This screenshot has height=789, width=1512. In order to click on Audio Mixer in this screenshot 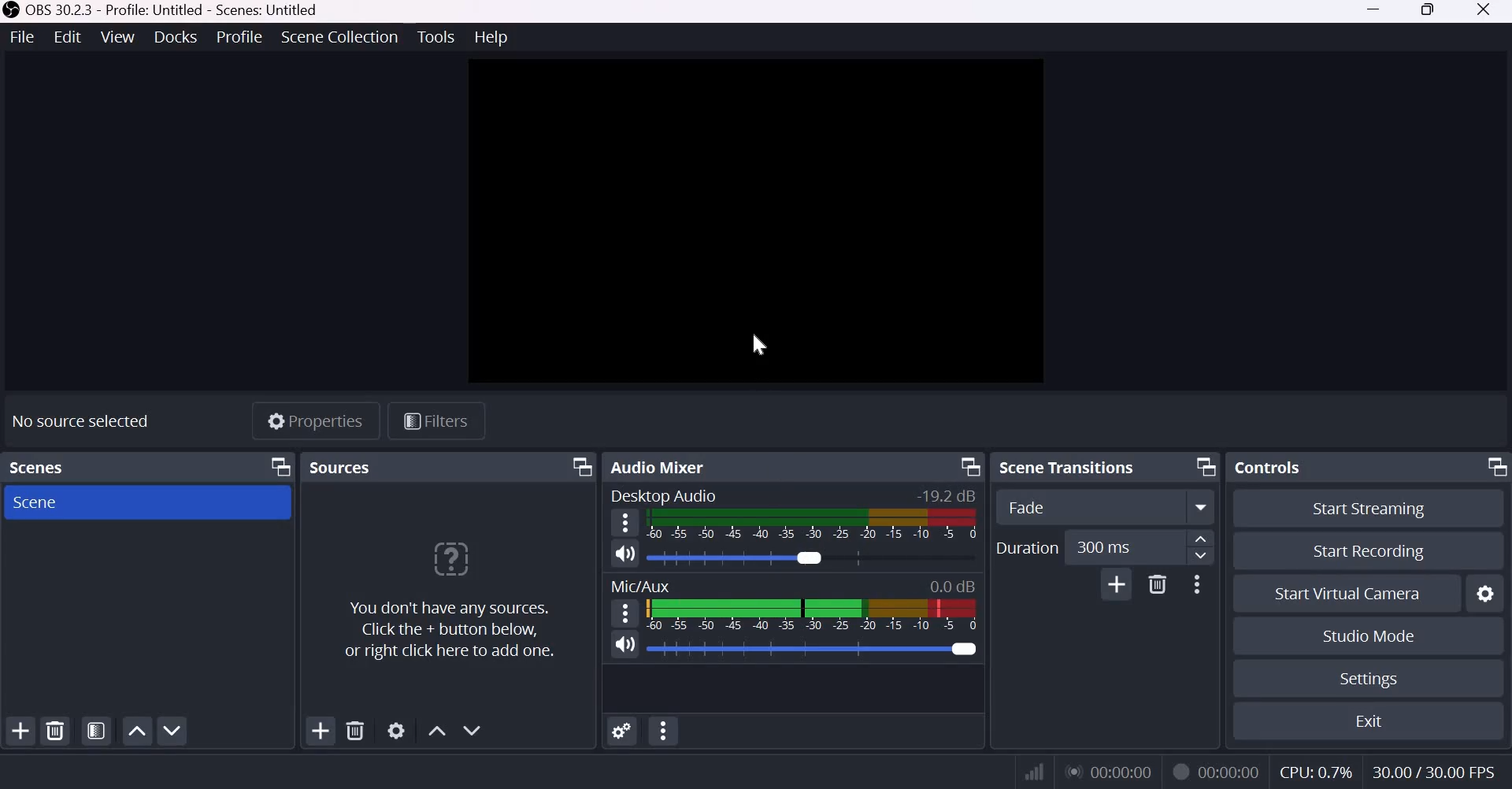, I will do `click(666, 465)`.